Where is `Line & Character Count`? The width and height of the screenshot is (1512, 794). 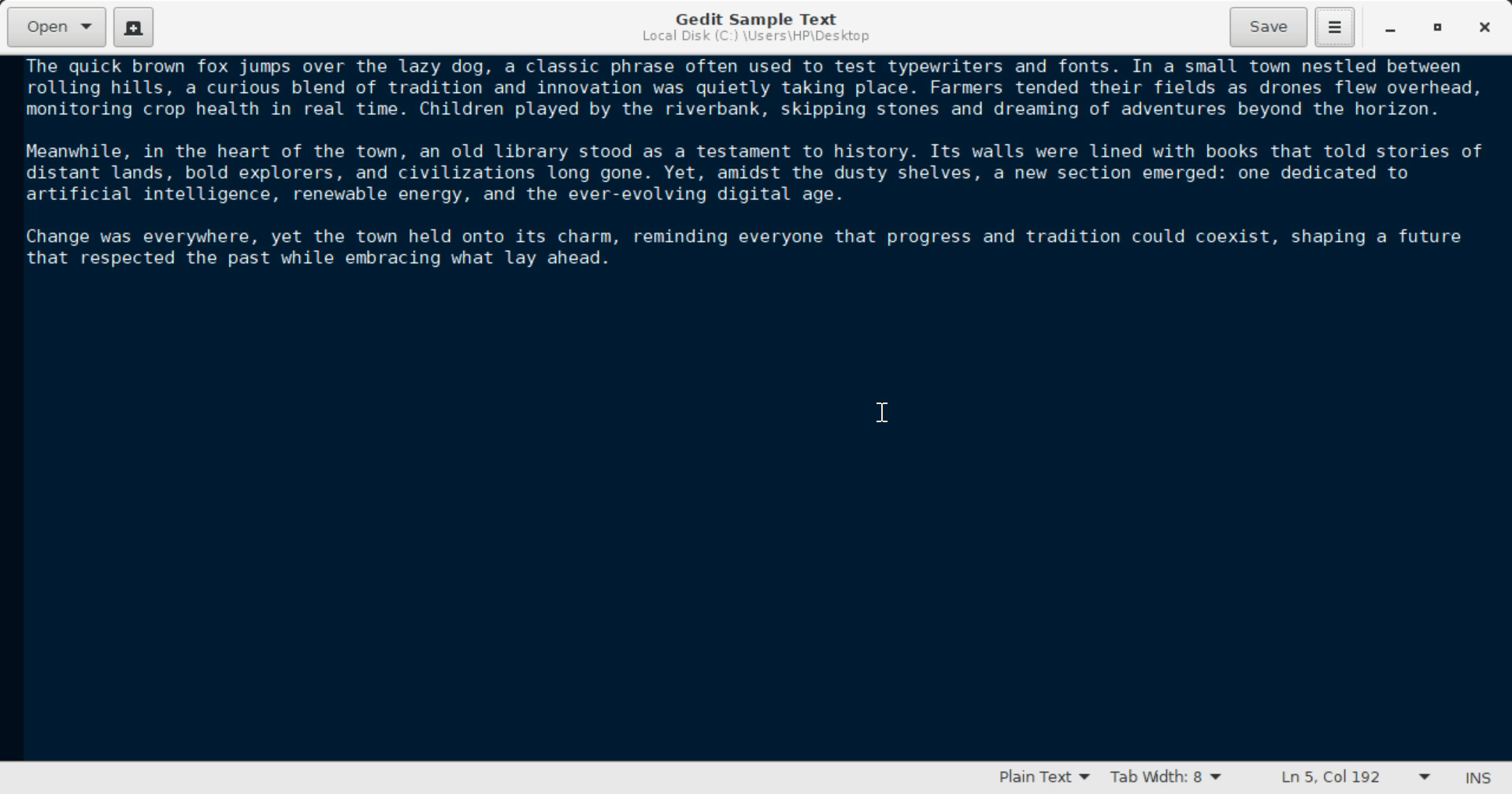
Line & Character Count is located at coordinates (1348, 779).